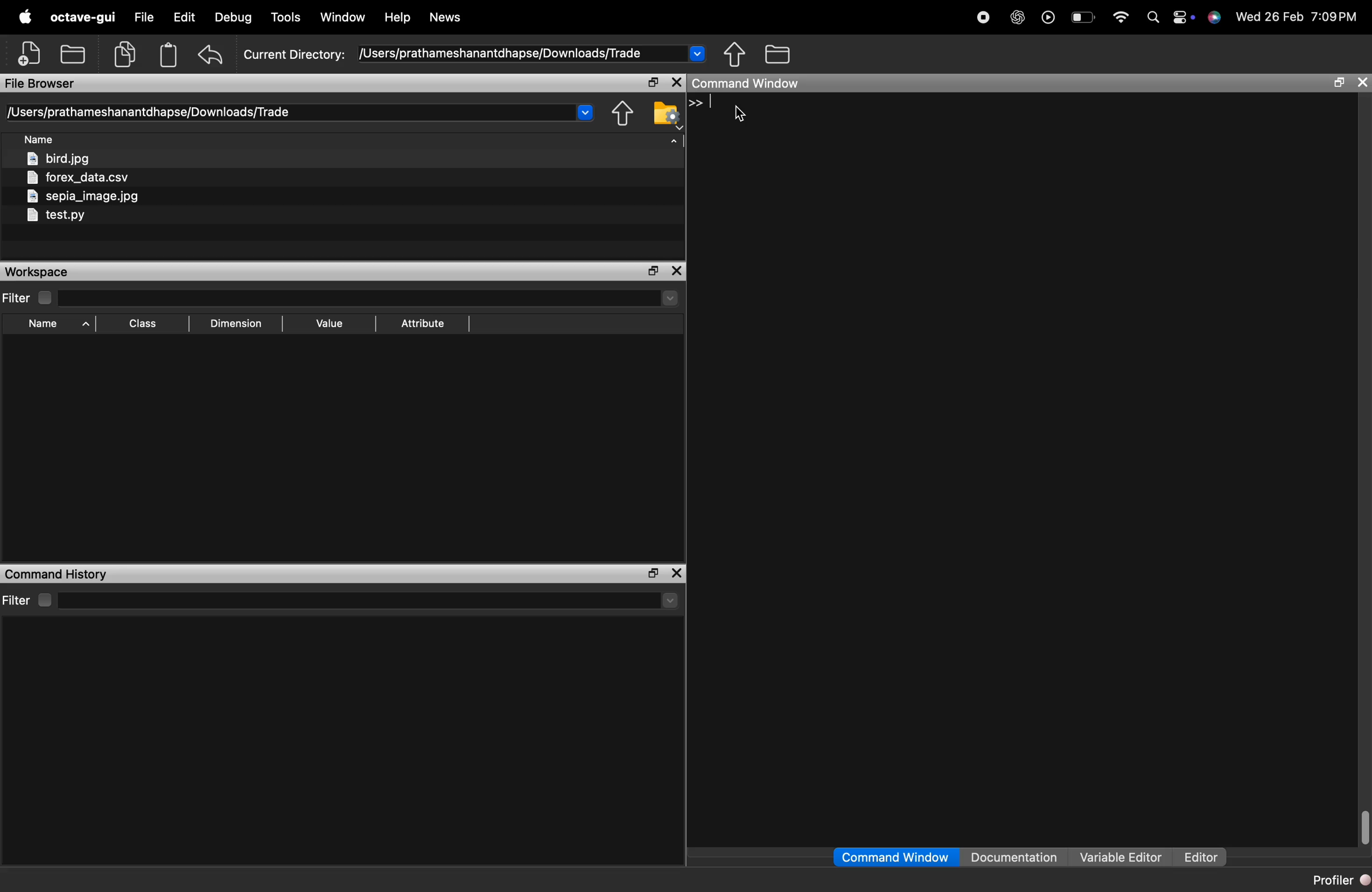 This screenshot has width=1372, height=892. What do you see at coordinates (27, 17) in the screenshot?
I see `apple logo` at bounding box center [27, 17].